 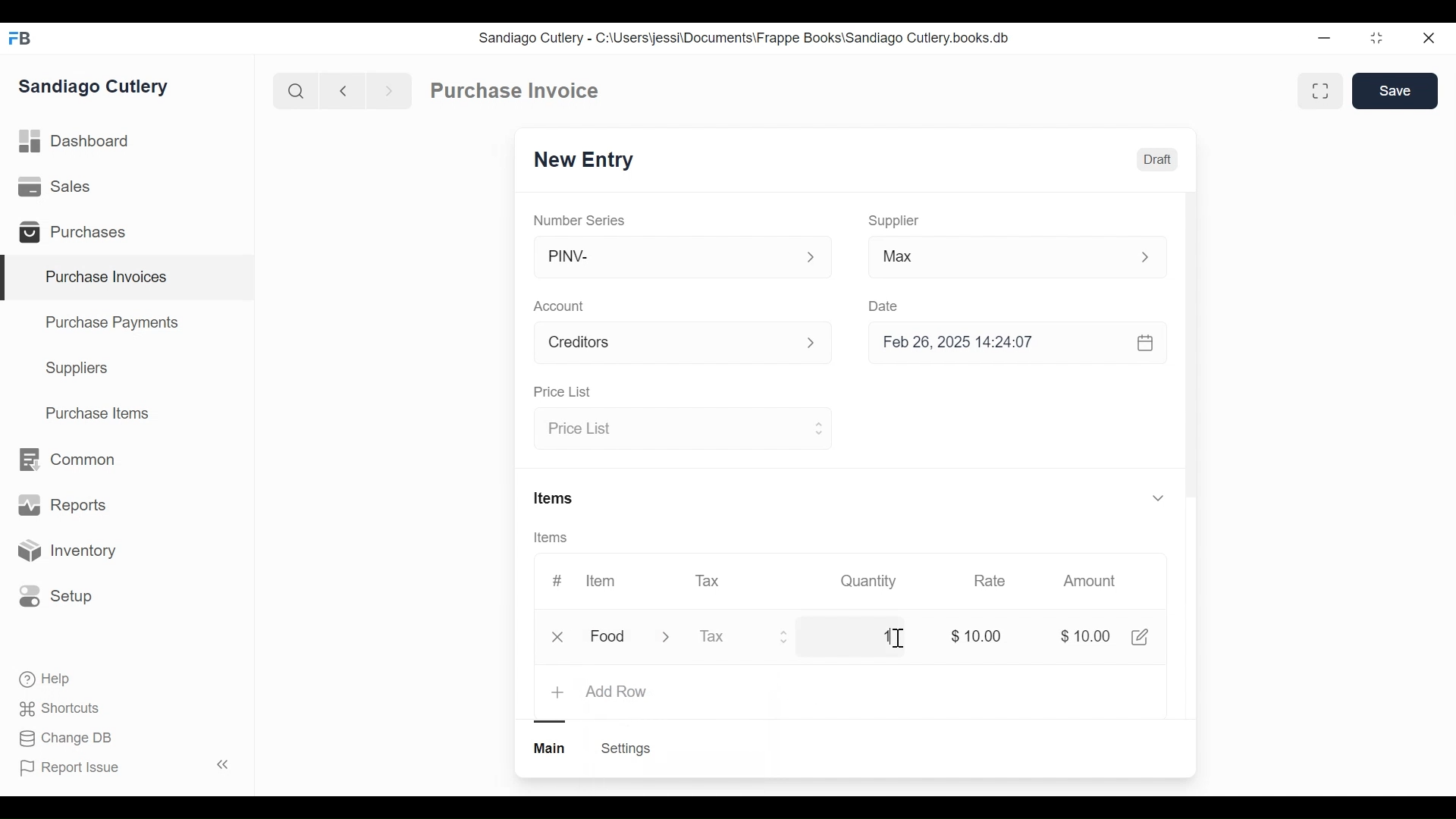 I want to click on Item, so click(x=599, y=581).